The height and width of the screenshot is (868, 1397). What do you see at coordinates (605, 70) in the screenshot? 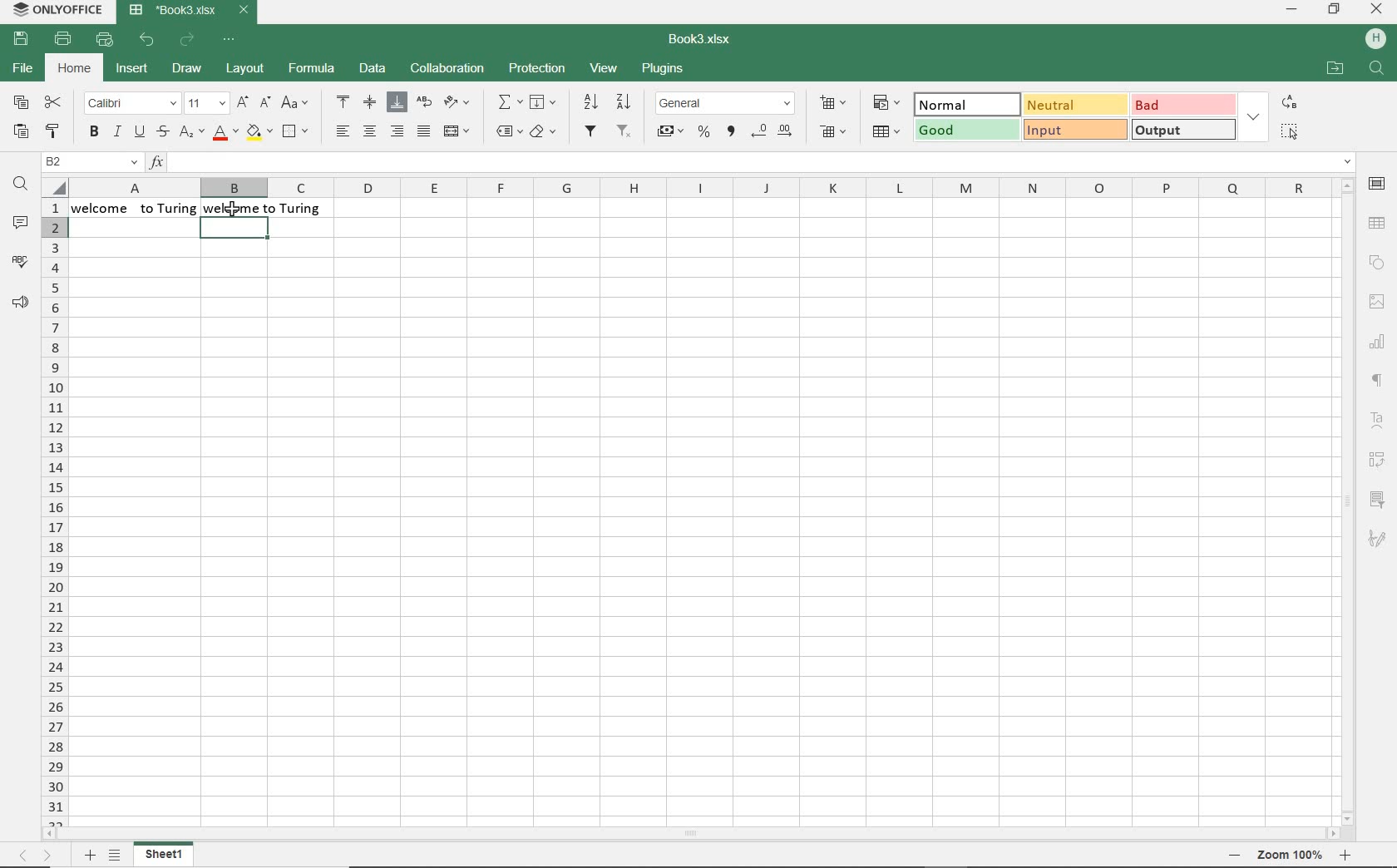
I see `view` at bounding box center [605, 70].